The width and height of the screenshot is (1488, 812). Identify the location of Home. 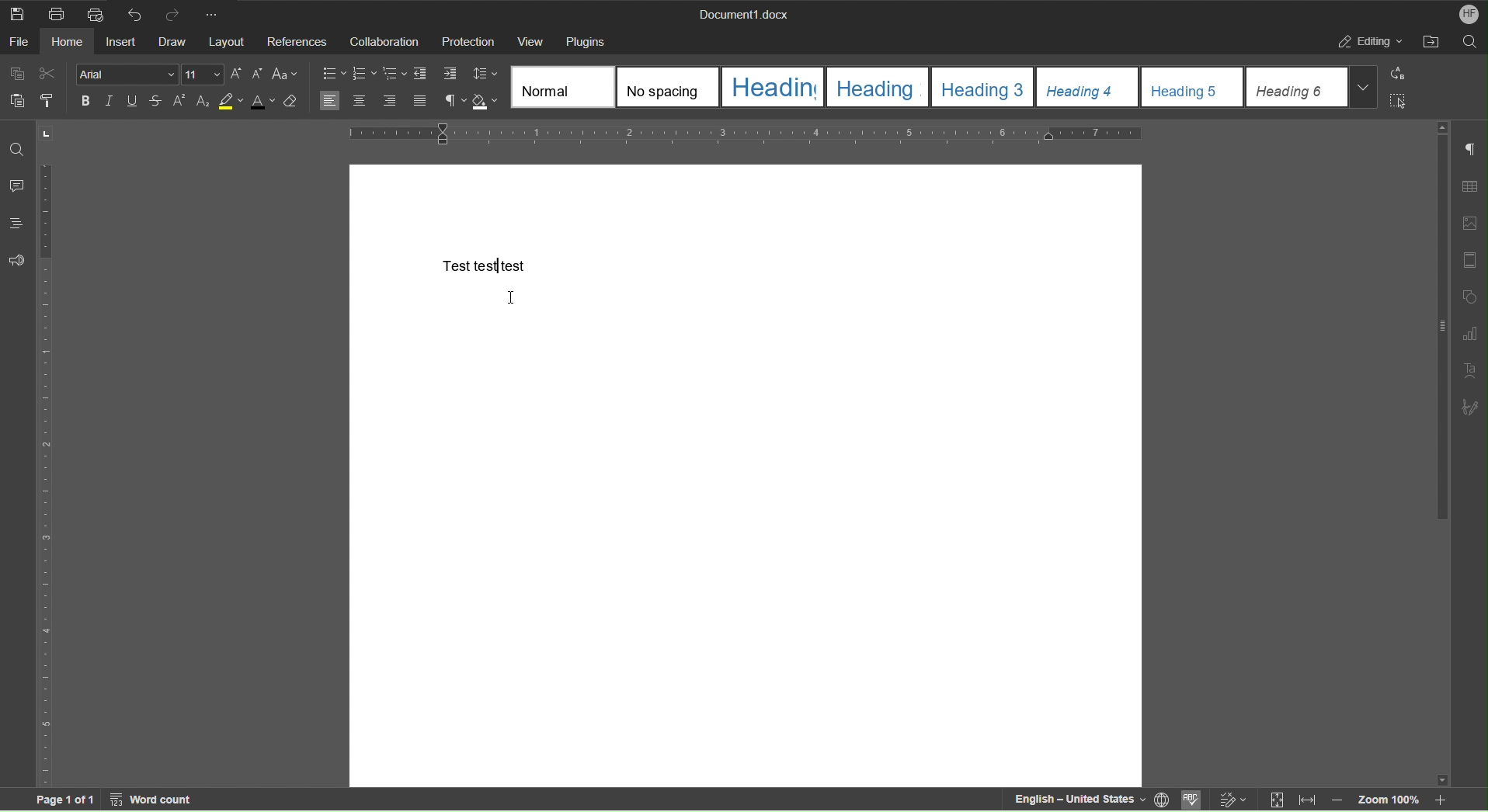
(72, 41).